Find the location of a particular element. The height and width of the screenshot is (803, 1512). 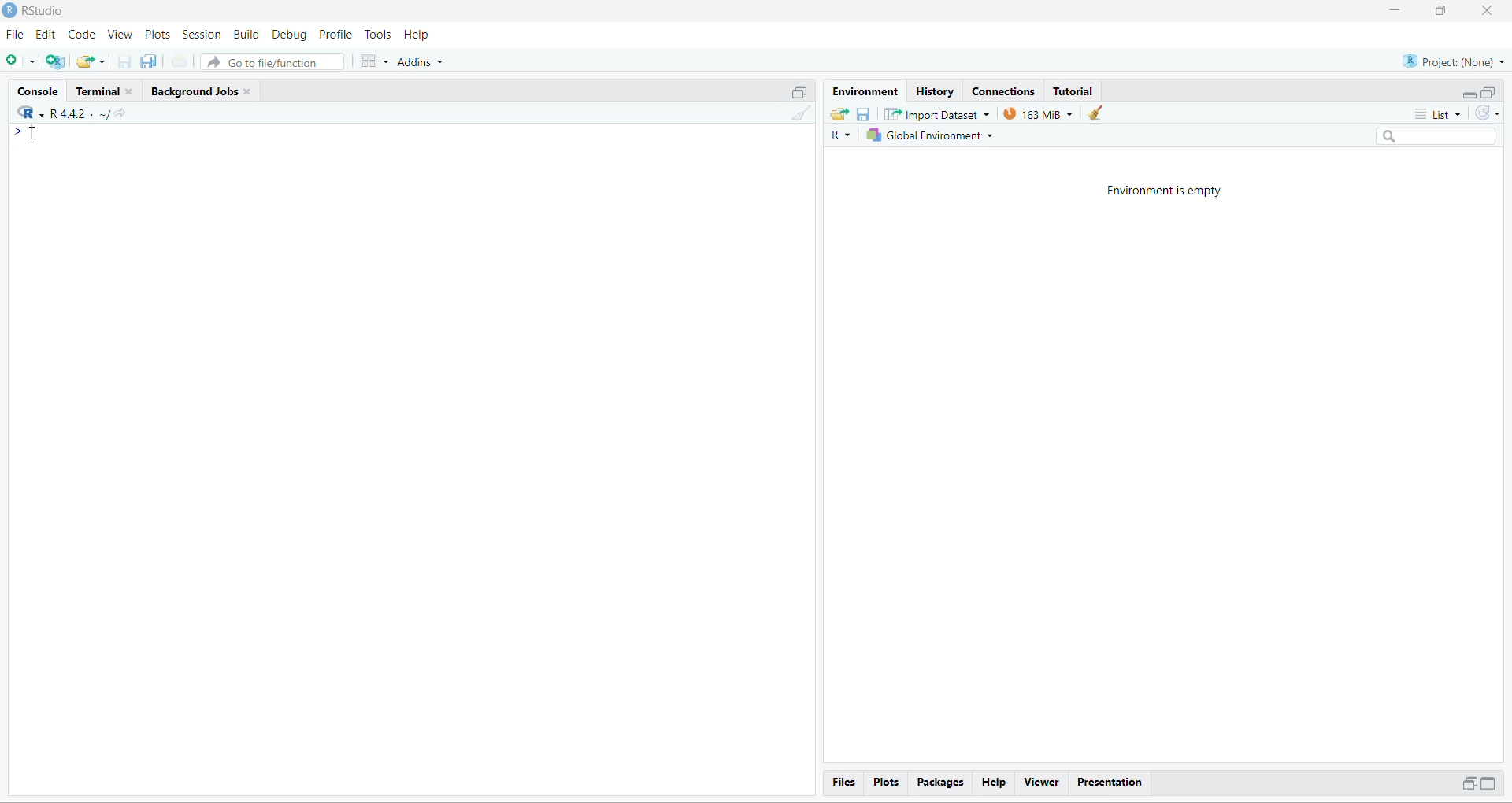

maximize is located at coordinates (799, 91).